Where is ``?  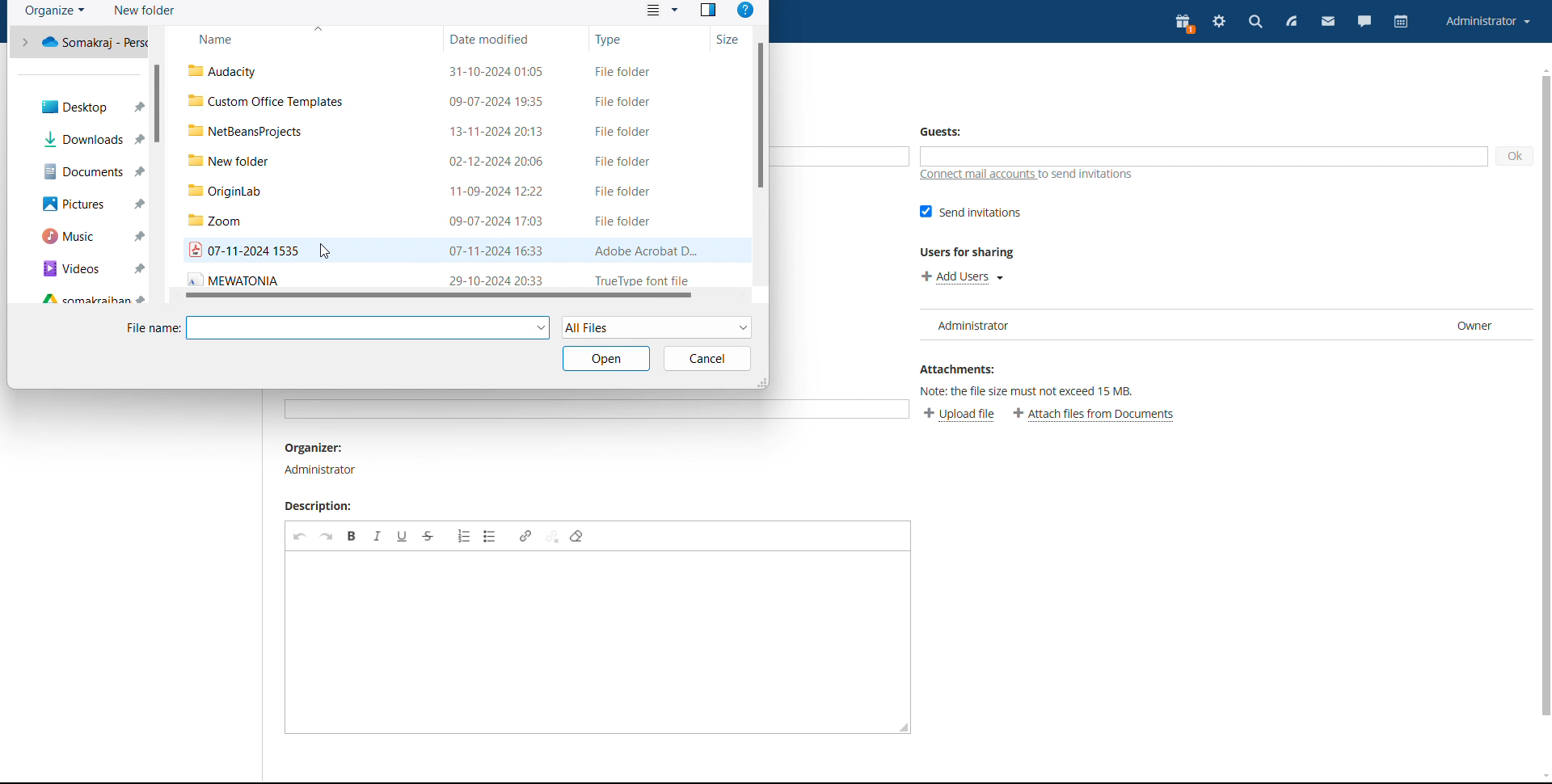
 is located at coordinates (89, 171).